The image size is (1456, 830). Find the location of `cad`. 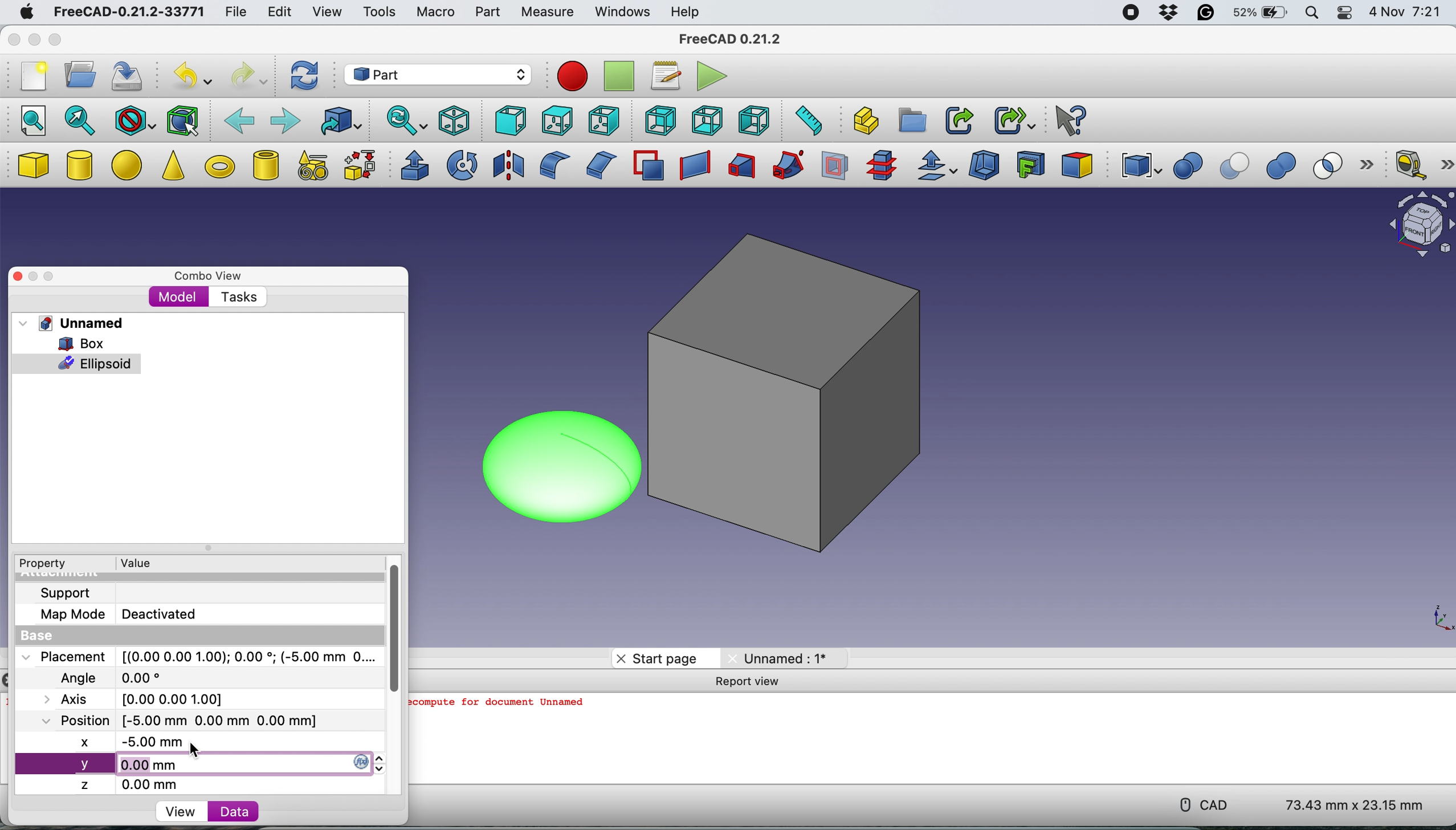

cad is located at coordinates (1200, 805).